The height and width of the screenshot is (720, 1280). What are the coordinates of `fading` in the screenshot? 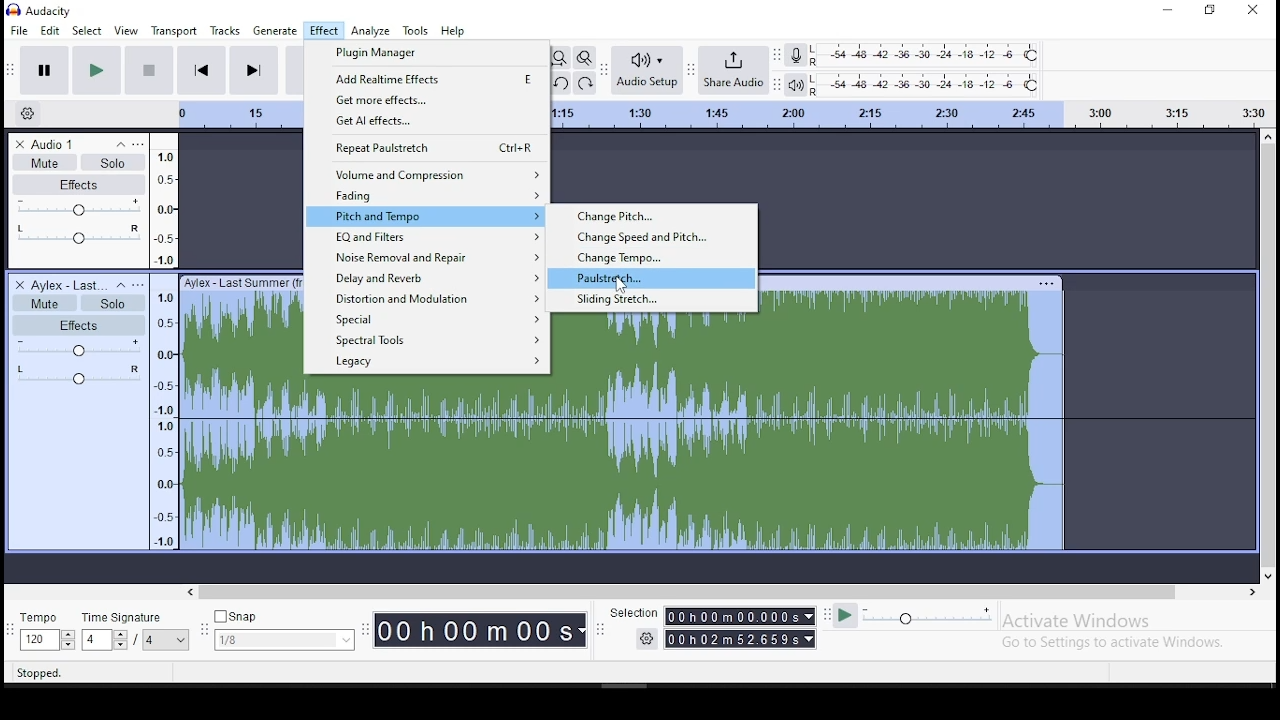 It's located at (426, 196).